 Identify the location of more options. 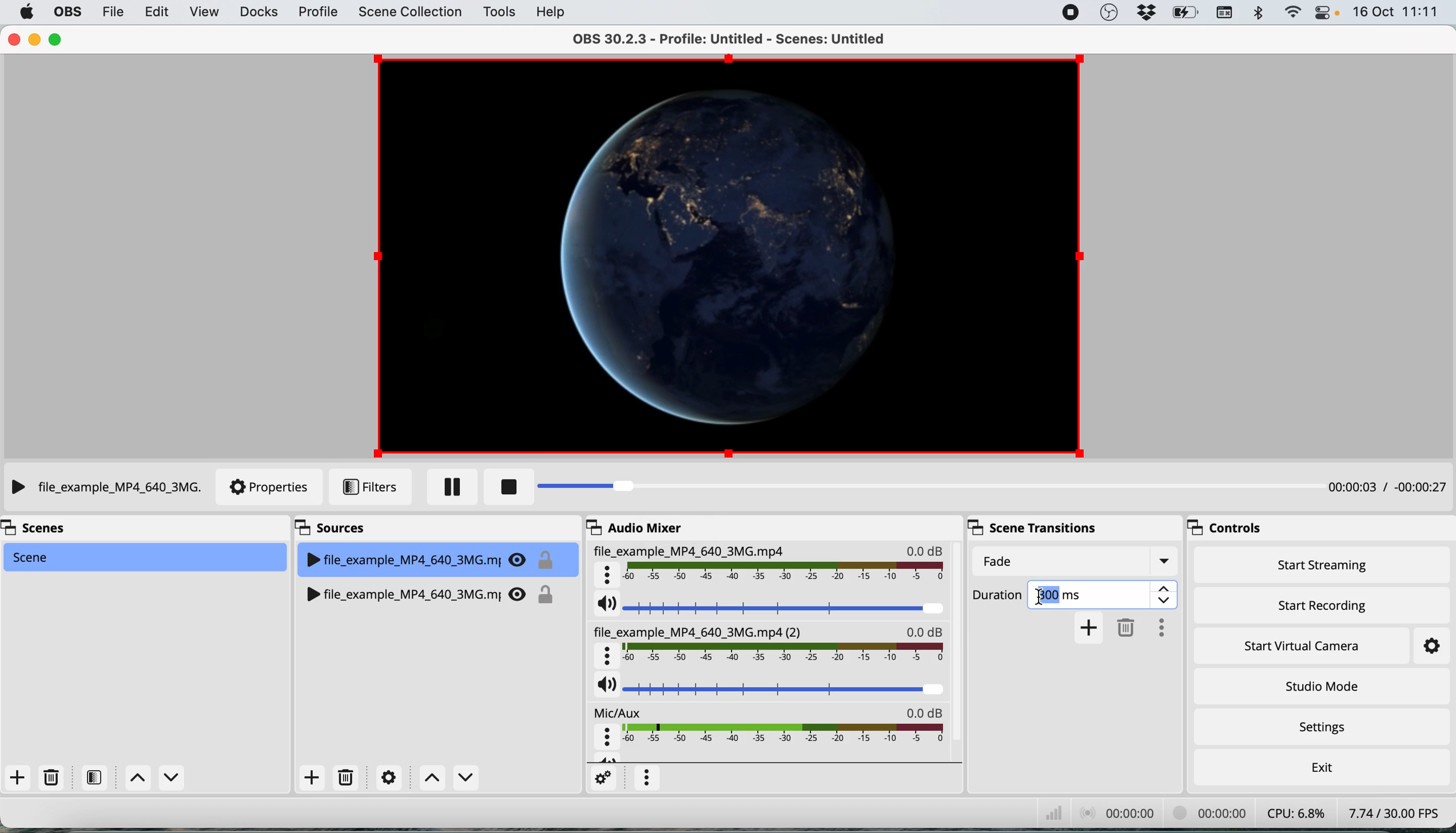
(1159, 627).